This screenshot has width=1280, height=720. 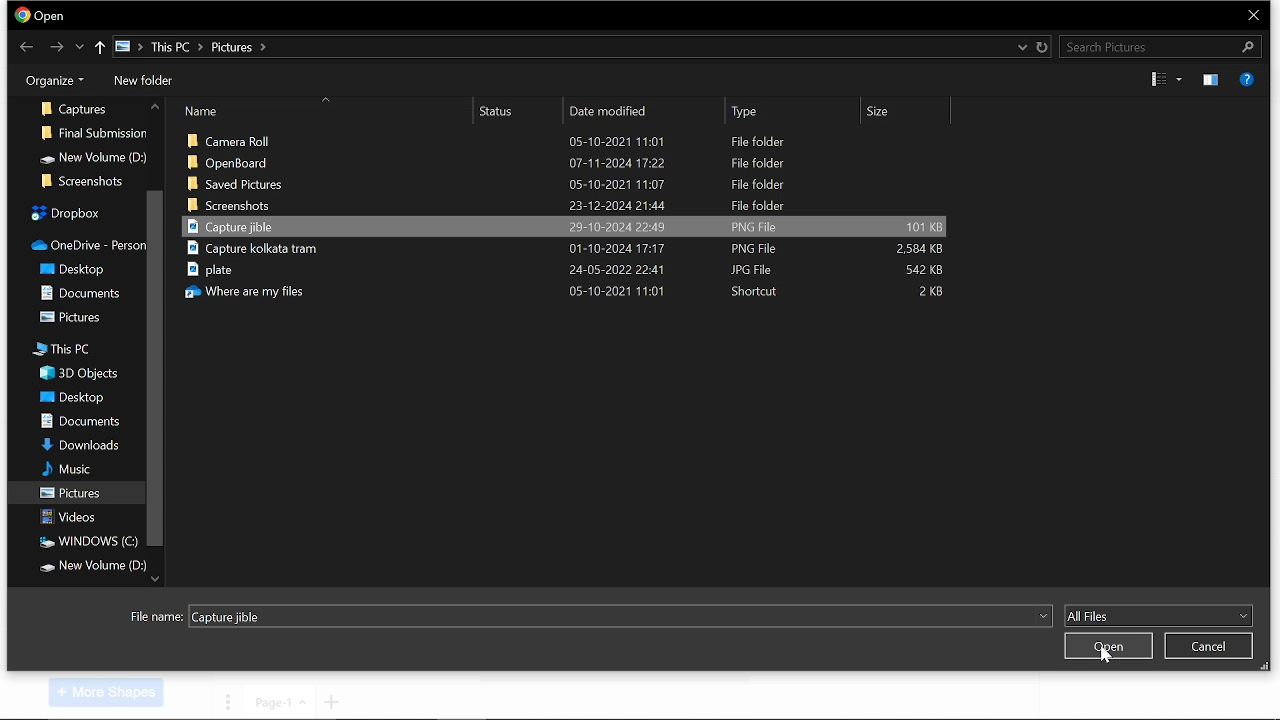 I want to click on files, so click(x=574, y=290).